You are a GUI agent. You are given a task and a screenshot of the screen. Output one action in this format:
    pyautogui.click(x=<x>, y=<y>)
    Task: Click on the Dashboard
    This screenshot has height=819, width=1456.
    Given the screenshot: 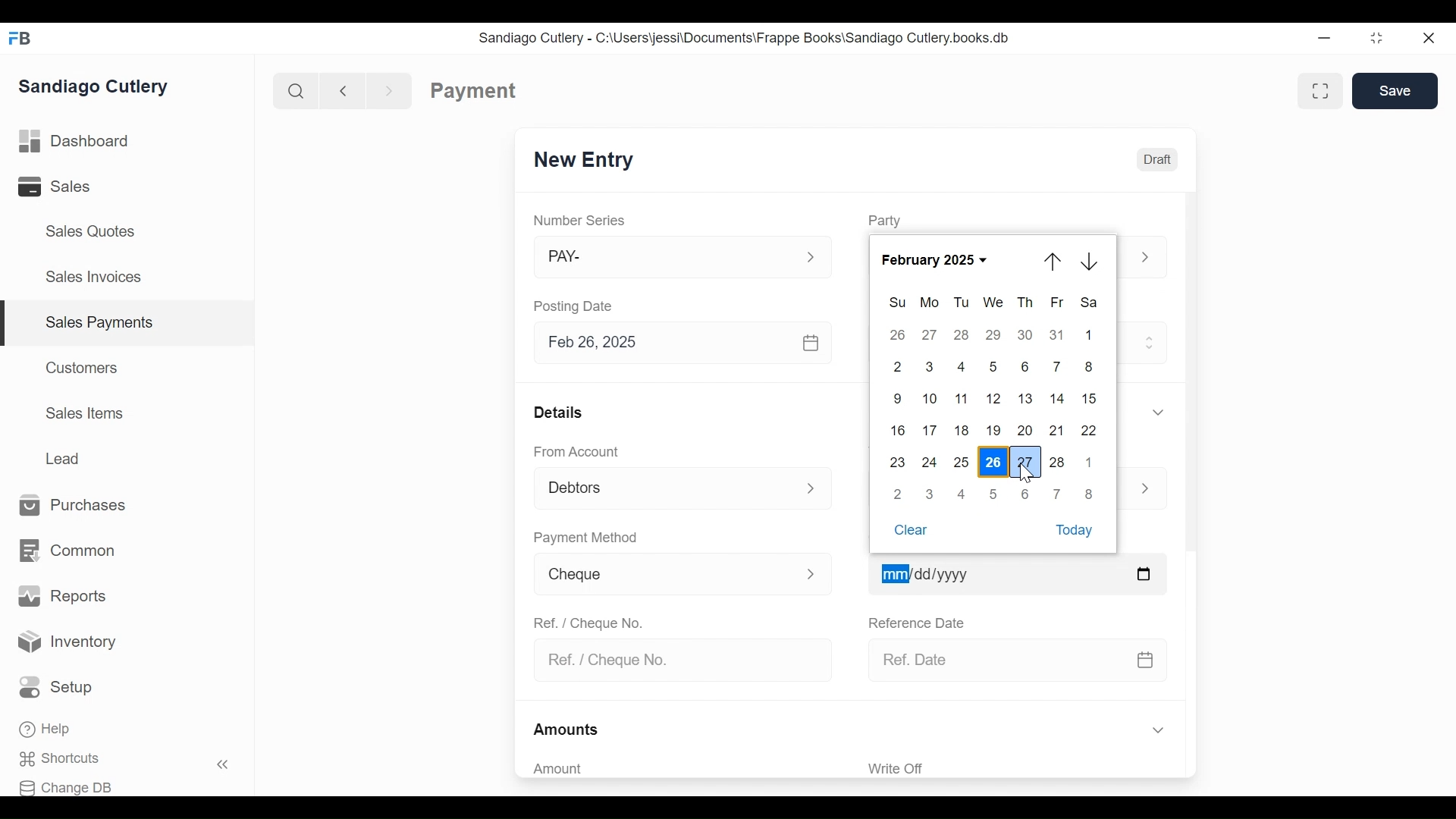 What is the action you would take?
    pyautogui.click(x=74, y=142)
    